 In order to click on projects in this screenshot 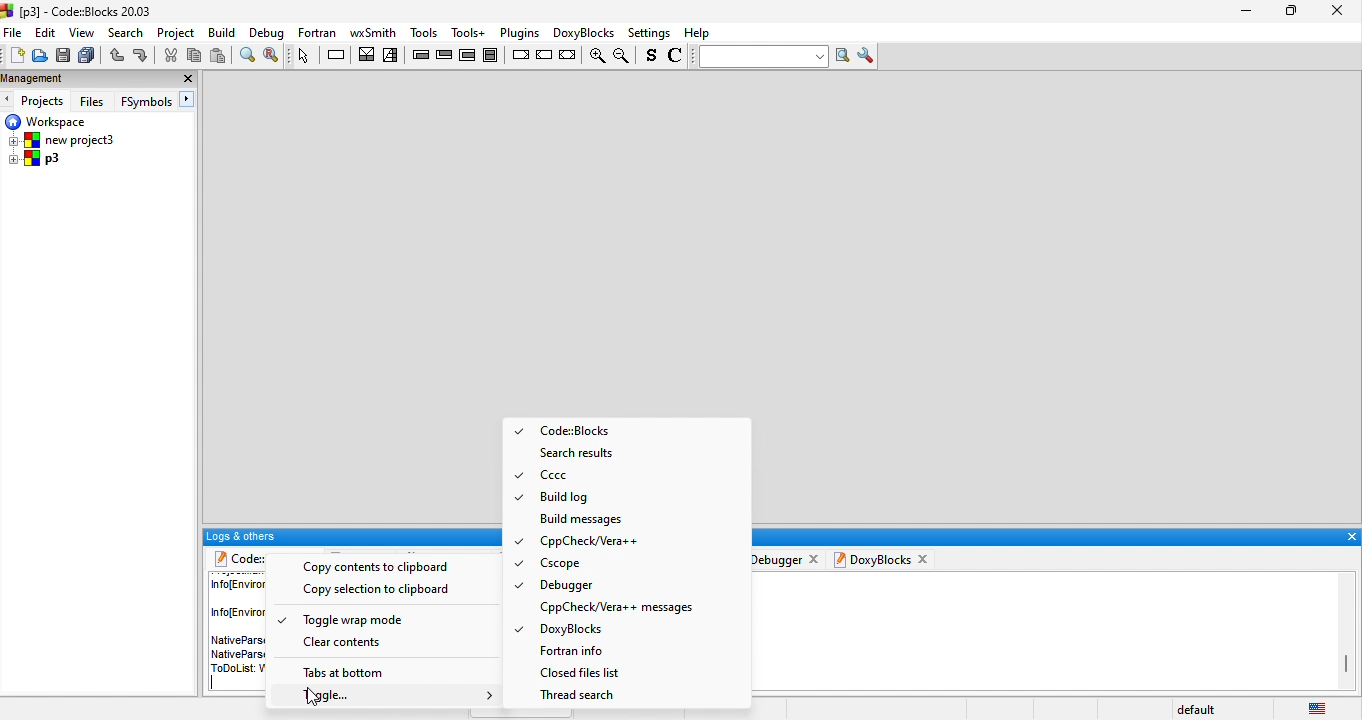, I will do `click(45, 101)`.